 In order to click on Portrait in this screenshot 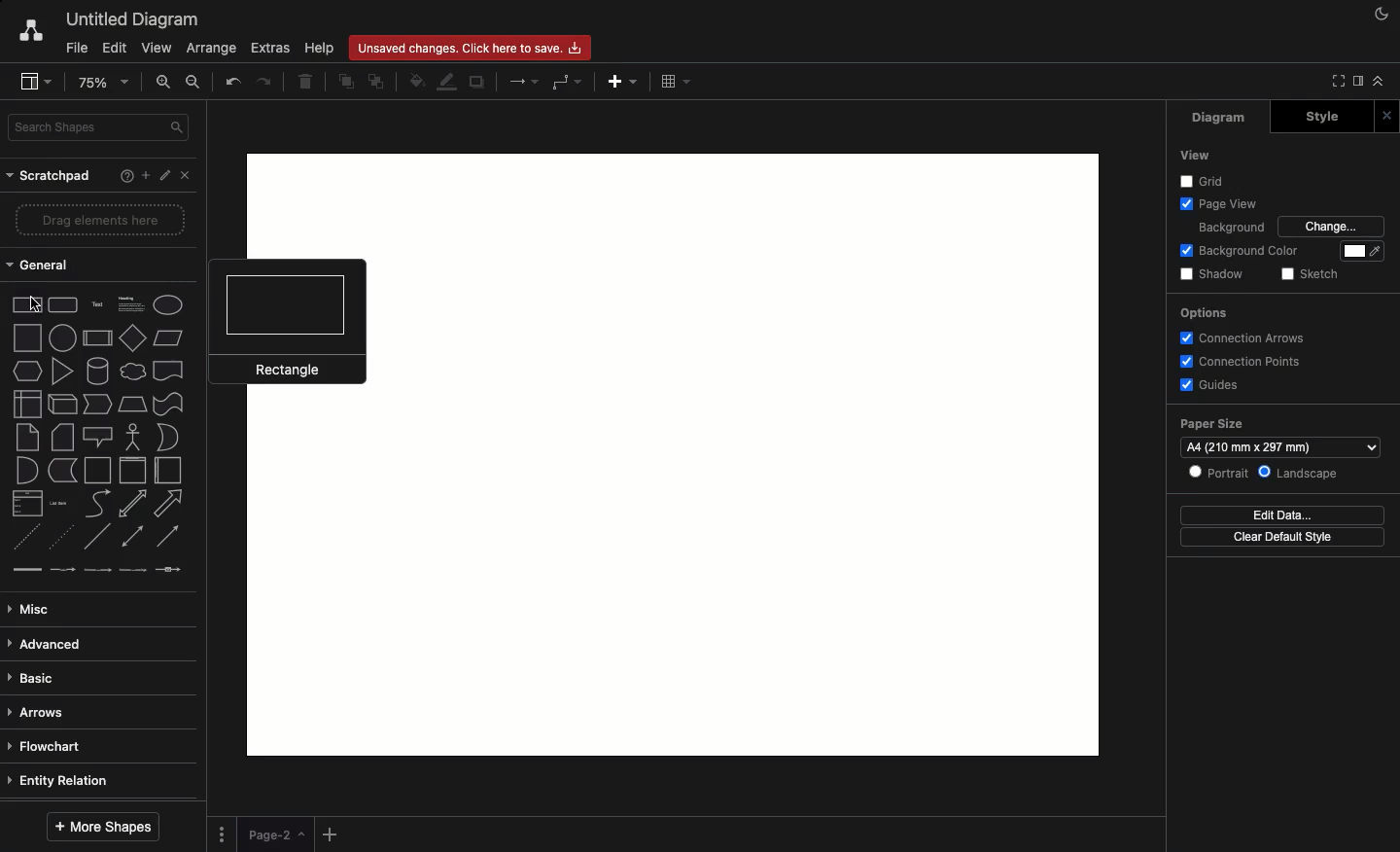, I will do `click(1219, 474)`.